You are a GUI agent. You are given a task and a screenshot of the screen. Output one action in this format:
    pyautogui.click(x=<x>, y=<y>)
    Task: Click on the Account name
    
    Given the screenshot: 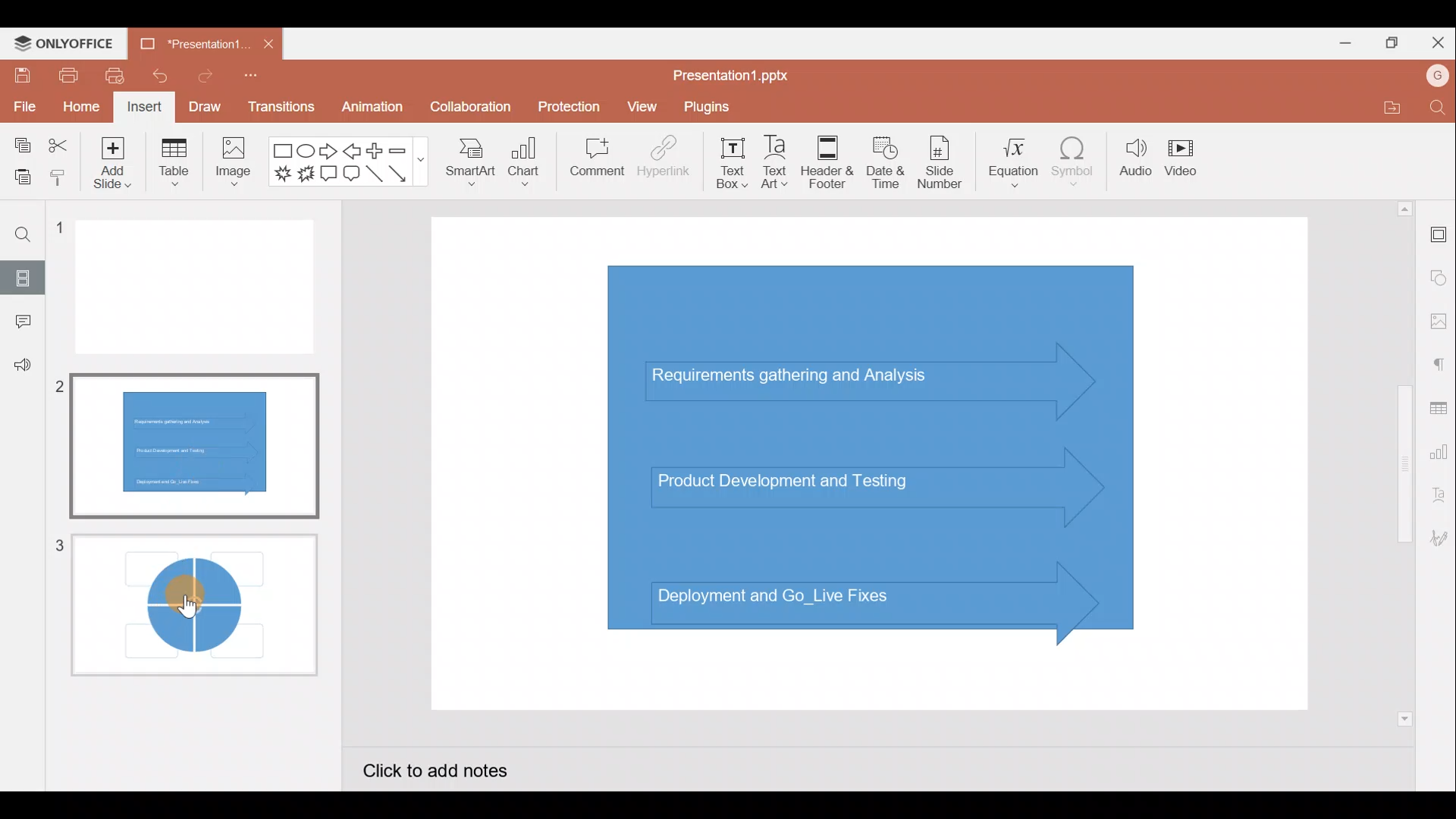 What is the action you would take?
    pyautogui.click(x=1432, y=78)
    